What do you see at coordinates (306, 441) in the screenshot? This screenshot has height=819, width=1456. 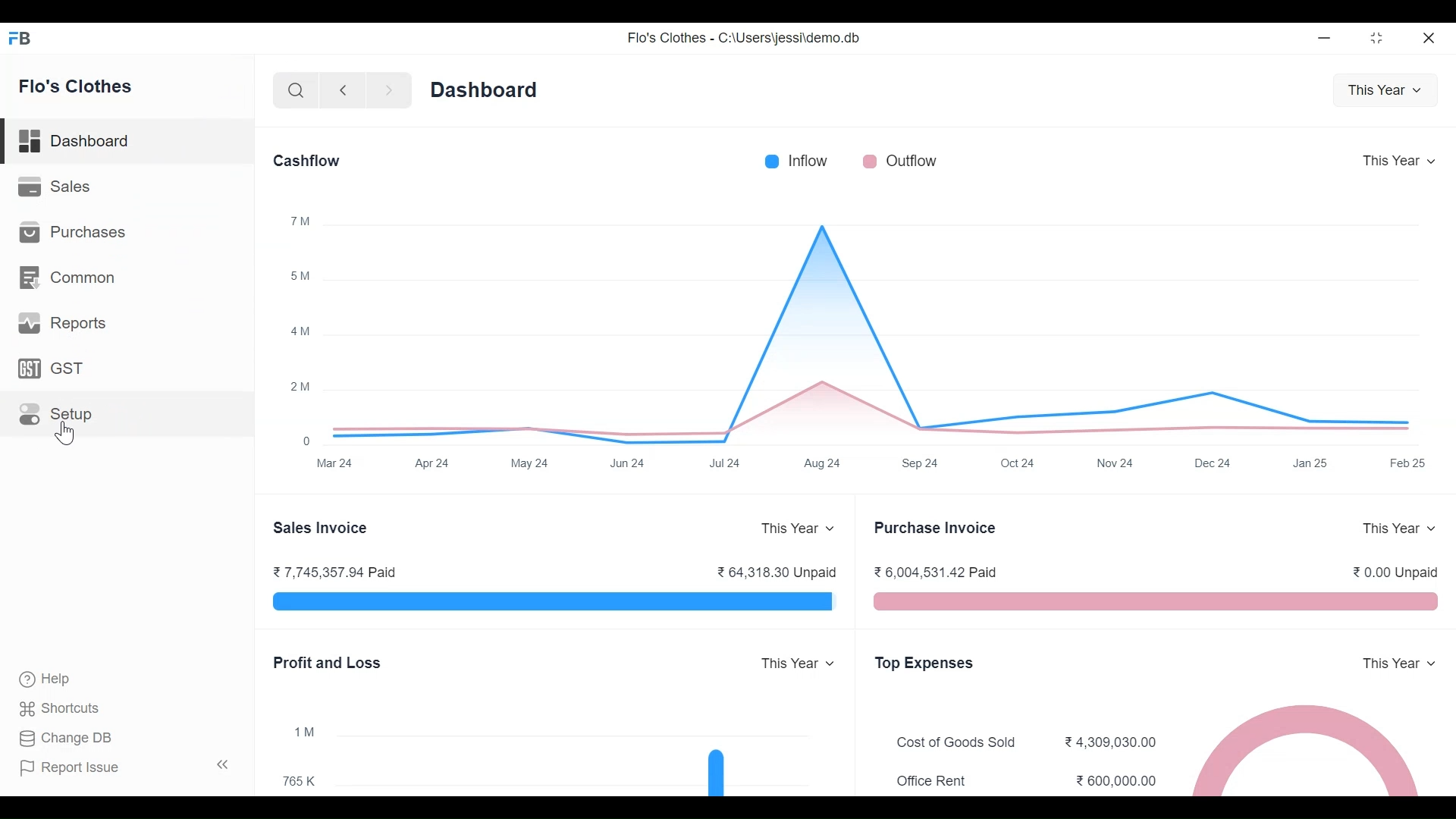 I see `0` at bounding box center [306, 441].